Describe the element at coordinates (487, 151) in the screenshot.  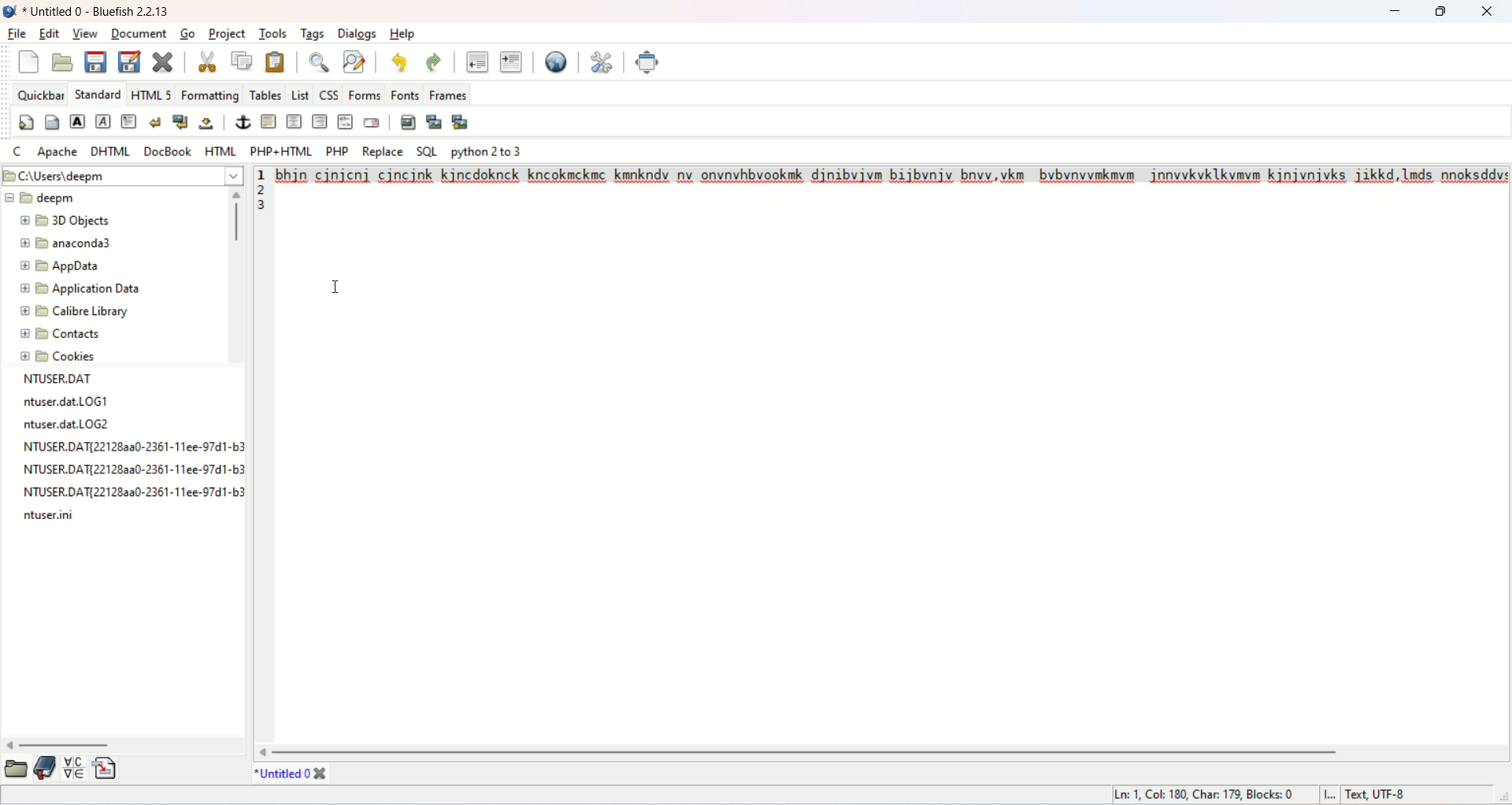
I see `python 2 to 3` at that location.